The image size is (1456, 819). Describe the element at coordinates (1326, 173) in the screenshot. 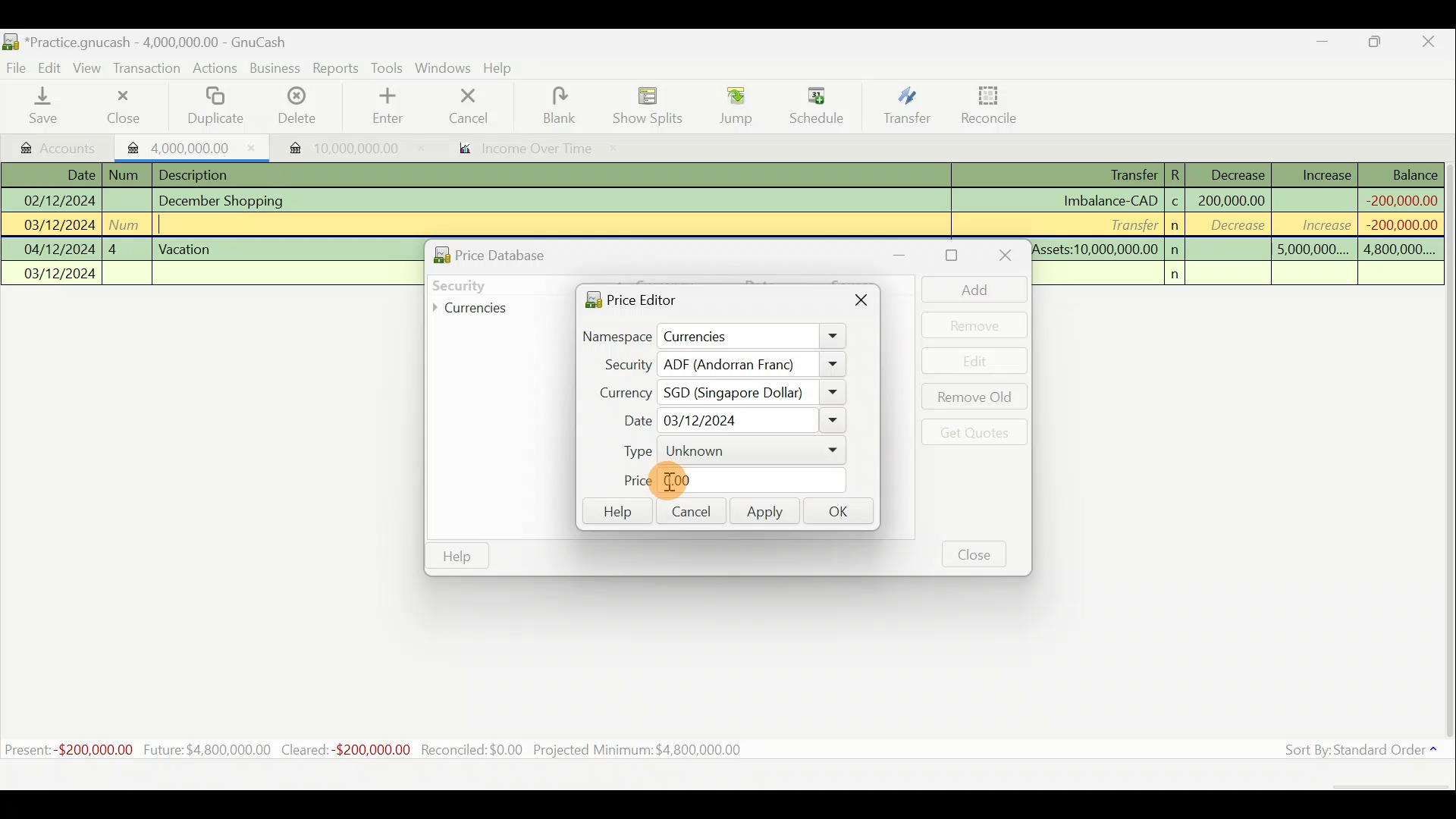

I see `Increase` at that location.